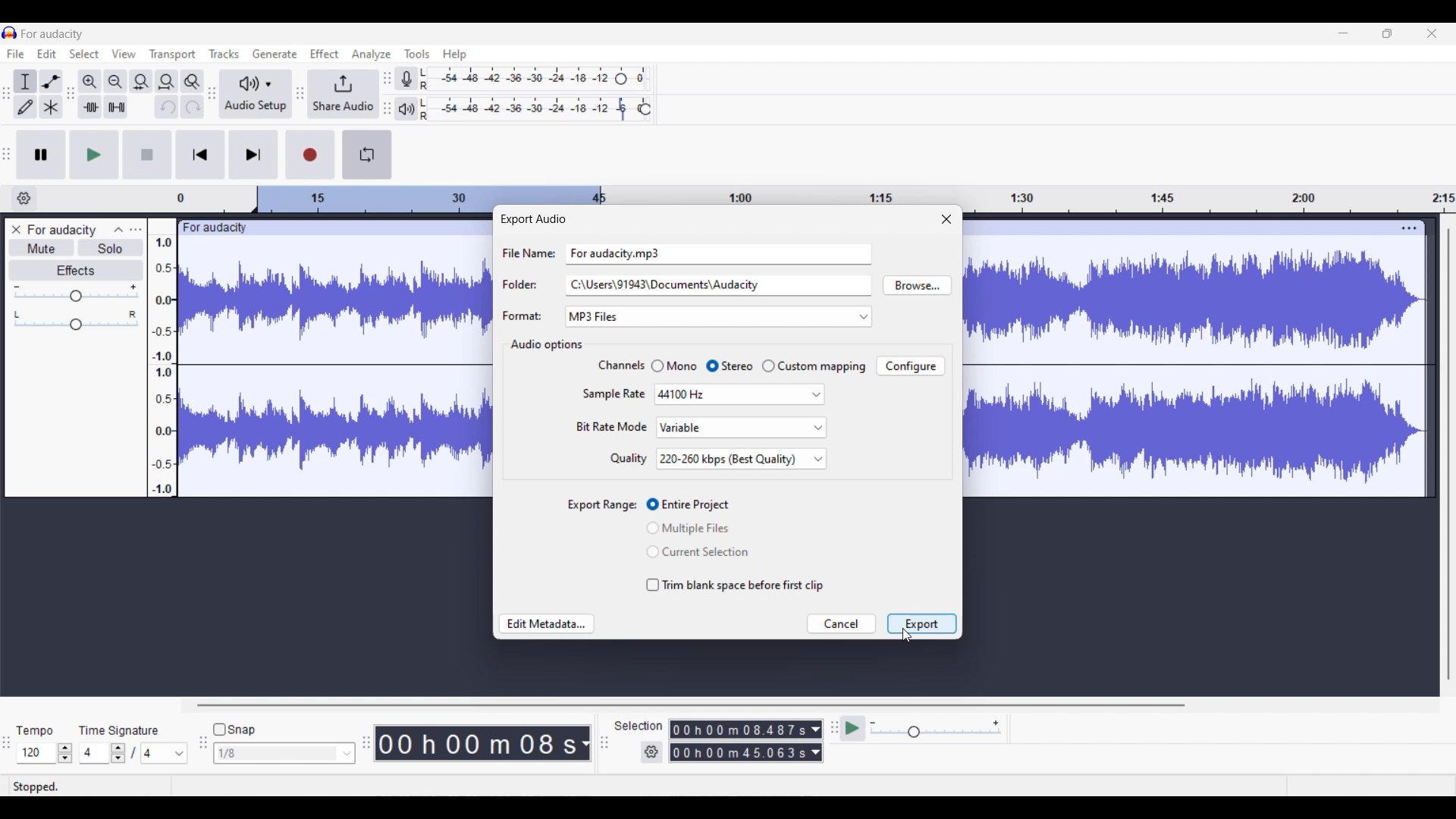 The image size is (1456, 819). Describe the element at coordinates (717, 284) in the screenshot. I see `Text box for Folders` at that location.